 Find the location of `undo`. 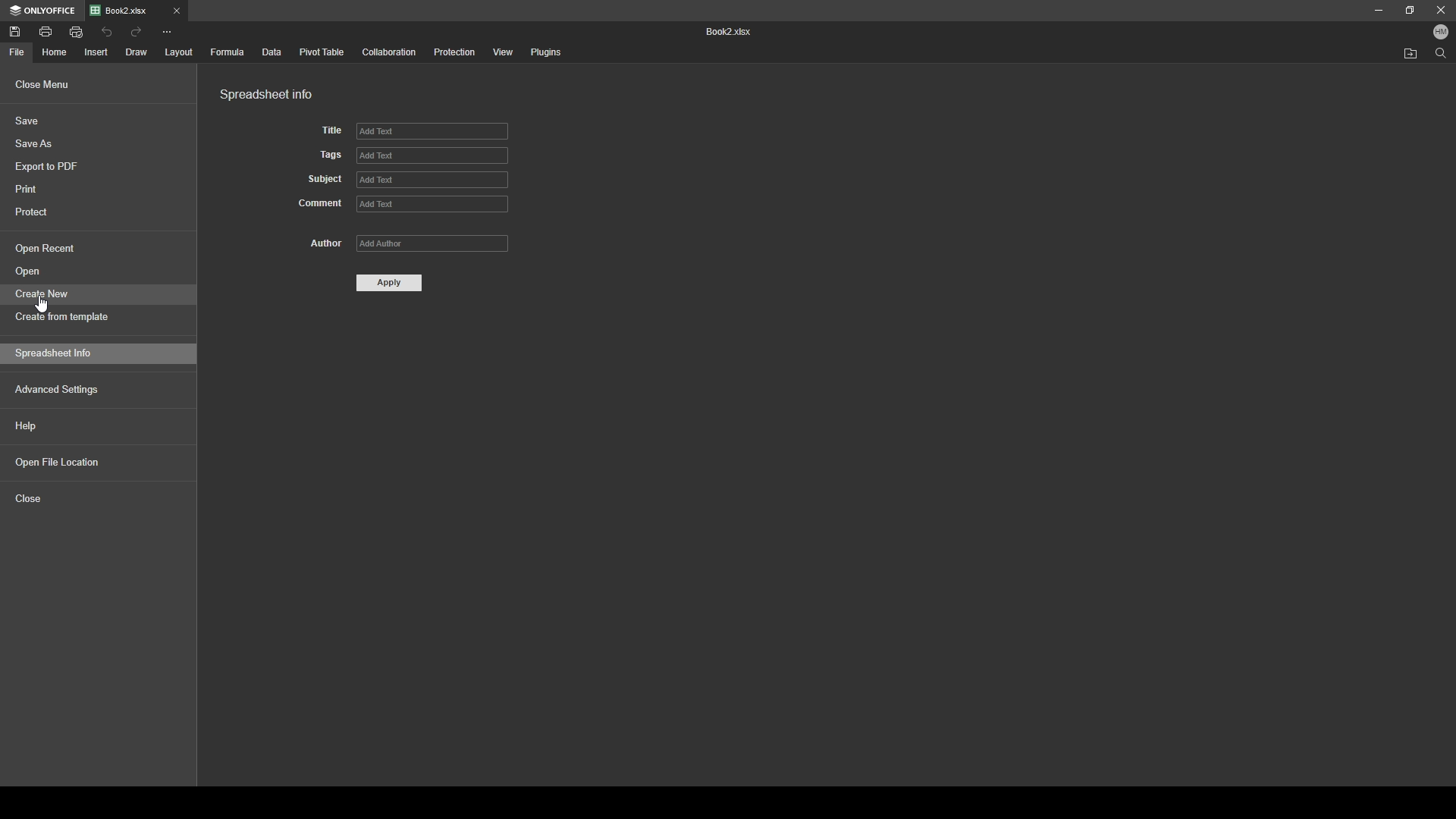

undo is located at coordinates (106, 32).